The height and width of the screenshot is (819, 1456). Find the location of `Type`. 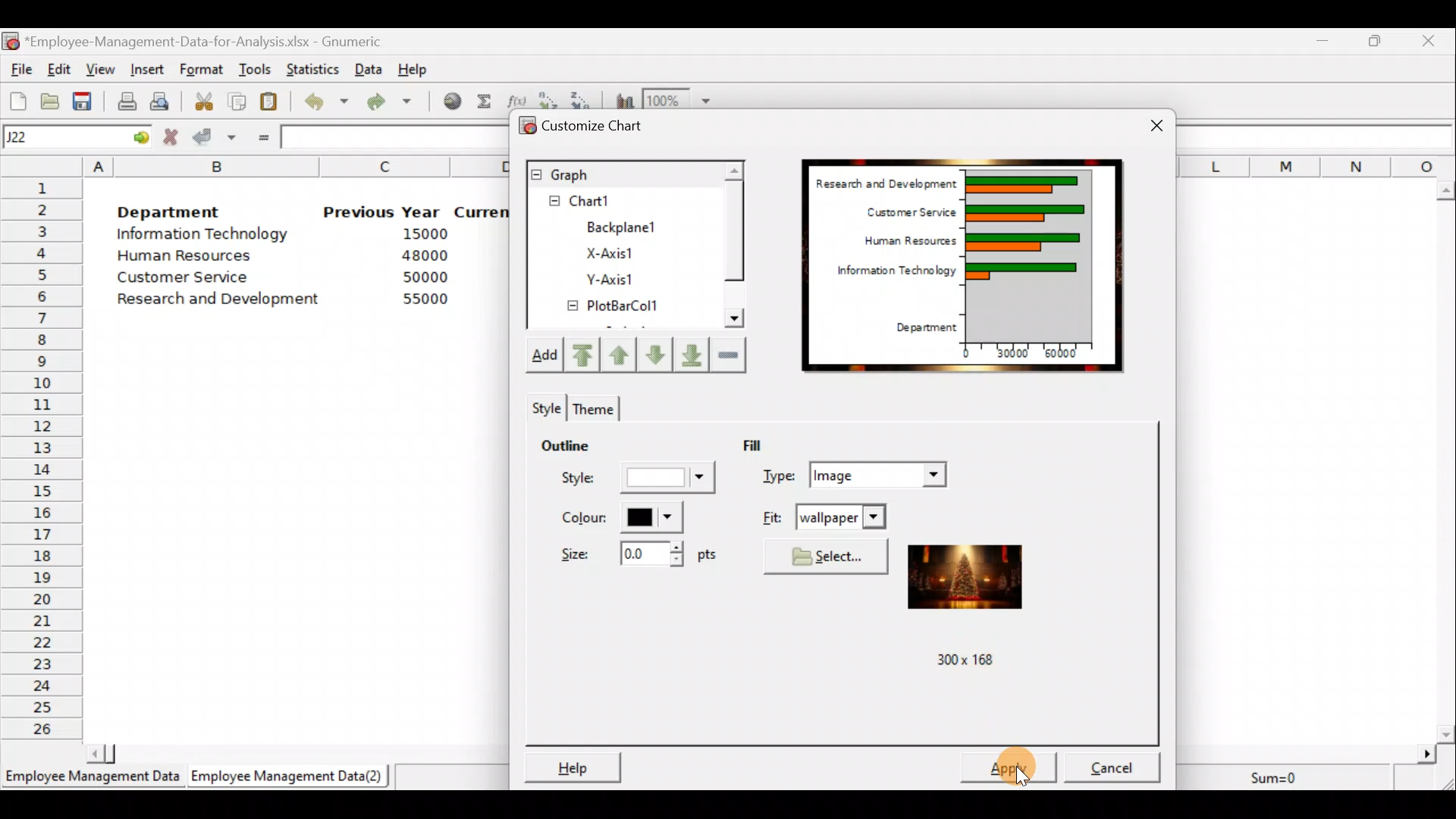

Type is located at coordinates (856, 473).